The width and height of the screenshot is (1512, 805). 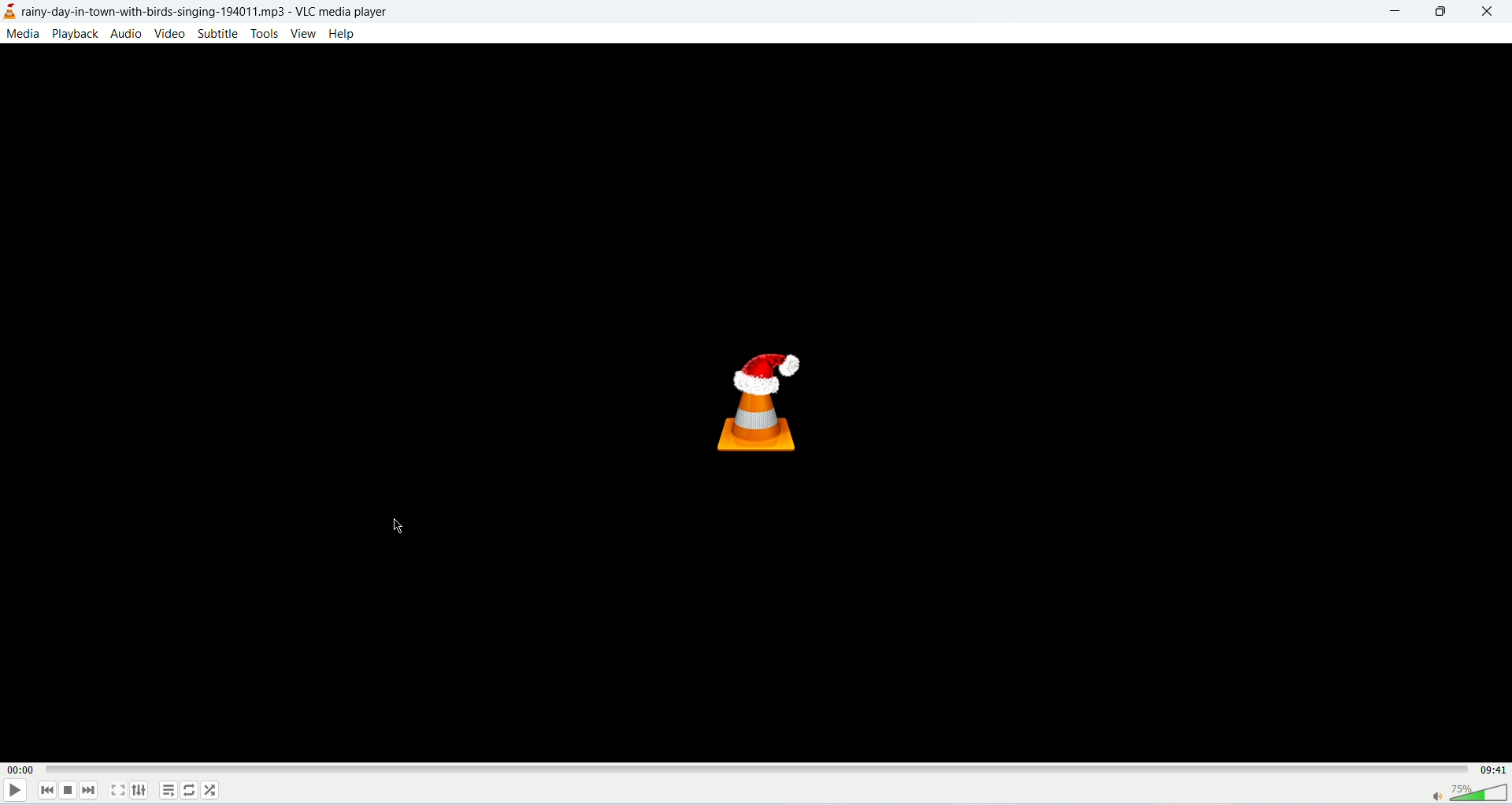 I want to click on subtitle, so click(x=217, y=34).